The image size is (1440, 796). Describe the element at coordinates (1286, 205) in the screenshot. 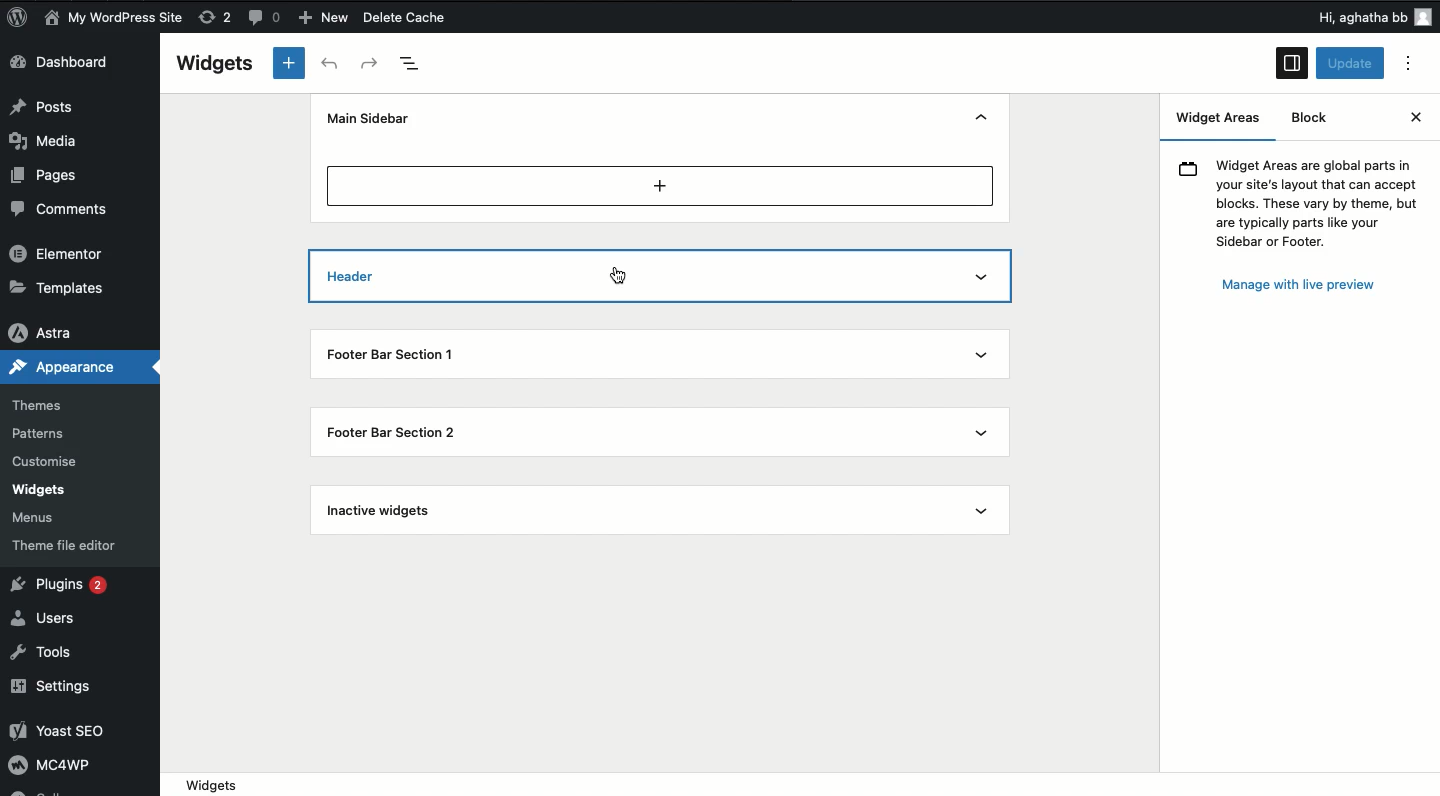

I see `(9 Widget Areas are global parts in
your site's layout that can accept
blocks. These vary by theme, but
are typically parts like your
Sidebar or Footer.` at that location.